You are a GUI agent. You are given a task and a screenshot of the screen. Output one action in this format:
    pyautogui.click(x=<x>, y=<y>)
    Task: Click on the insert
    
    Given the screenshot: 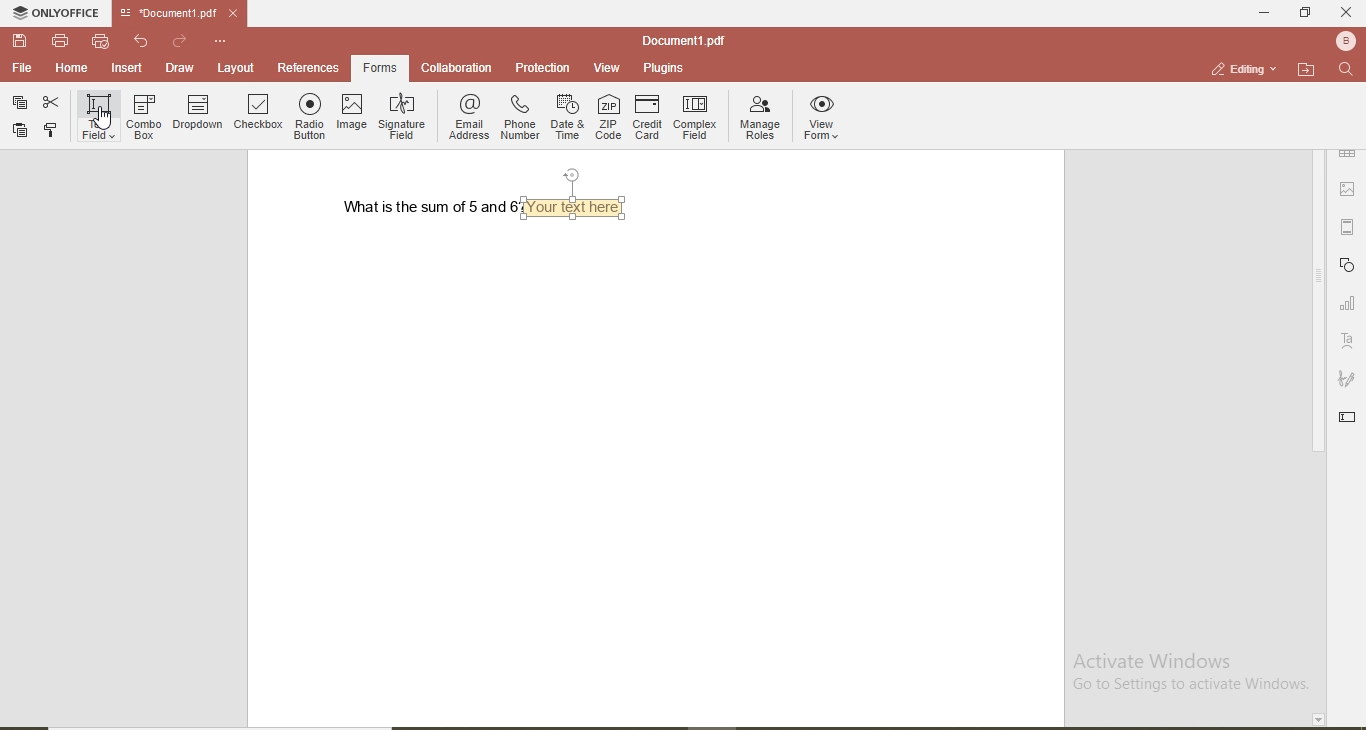 What is the action you would take?
    pyautogui.click(x=128, y=69)
    